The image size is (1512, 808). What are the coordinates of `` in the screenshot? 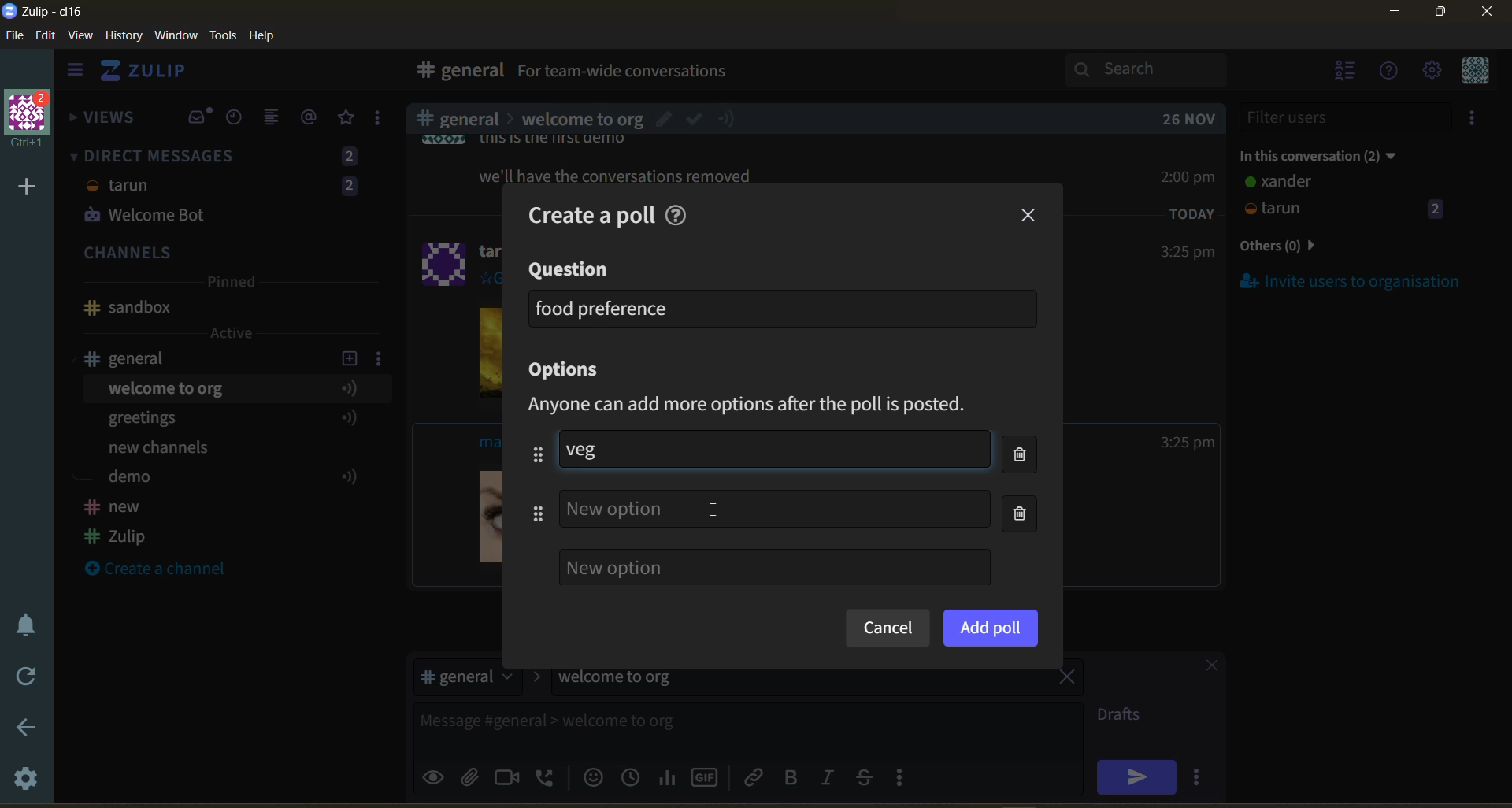 It's located at (617, 510).